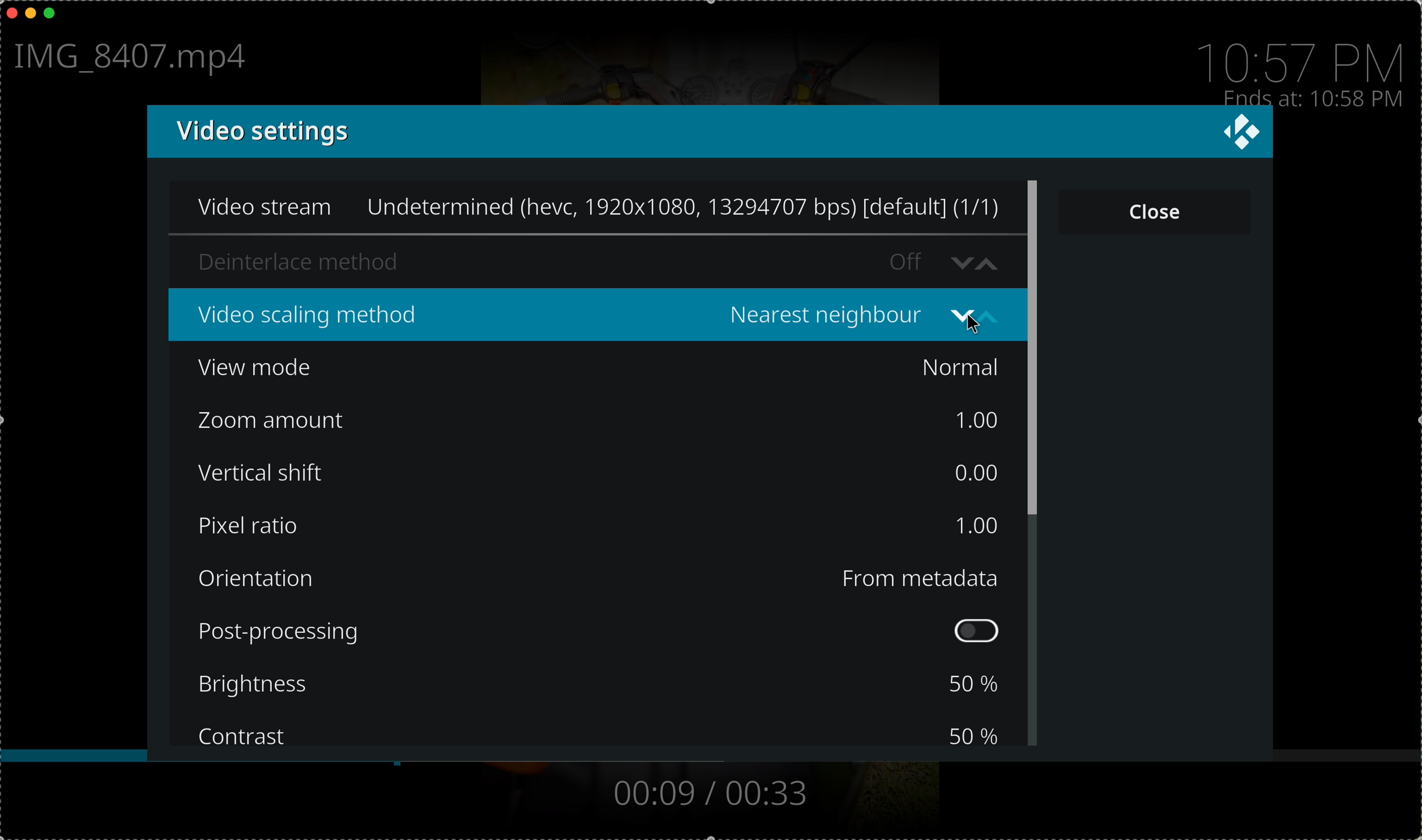 The height and width of the screenshot is (840, 1422). I want to click on 00:09/00:33, so click(707, 793).